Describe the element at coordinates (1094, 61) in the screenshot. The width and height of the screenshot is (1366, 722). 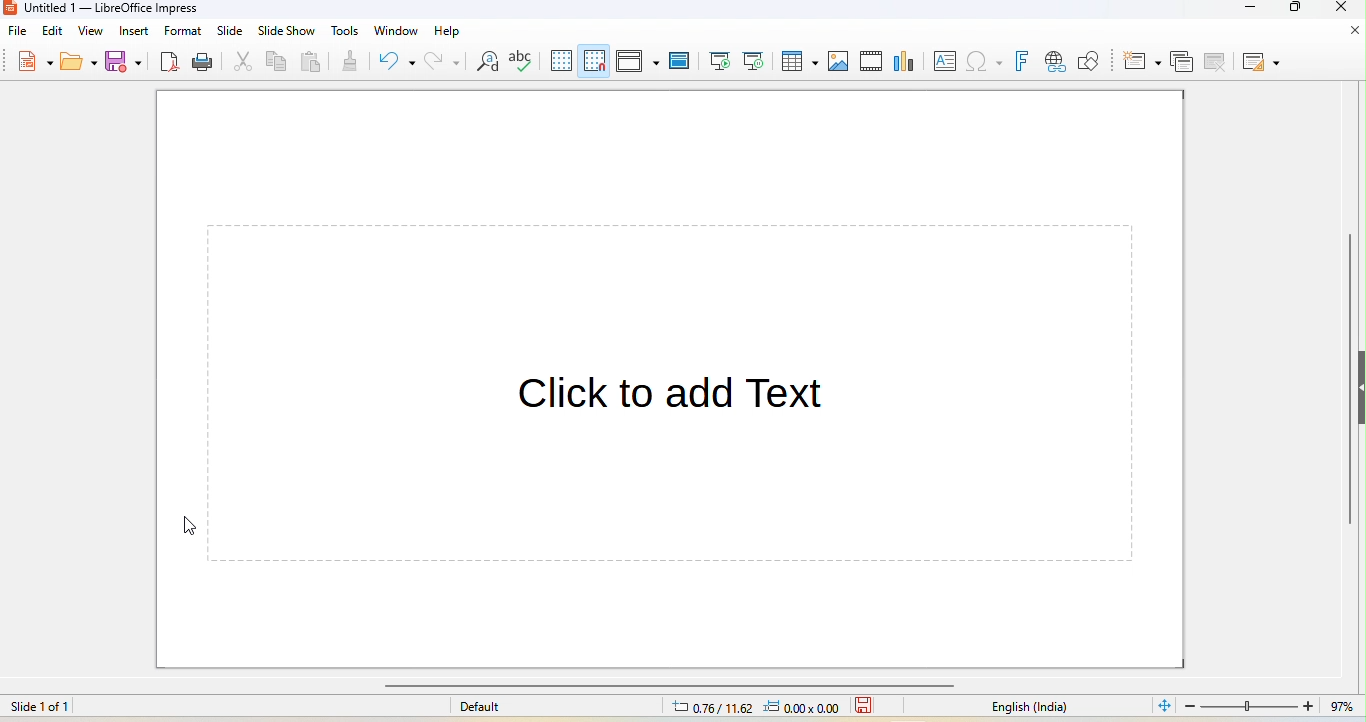
I see `show draw functions` at that location.